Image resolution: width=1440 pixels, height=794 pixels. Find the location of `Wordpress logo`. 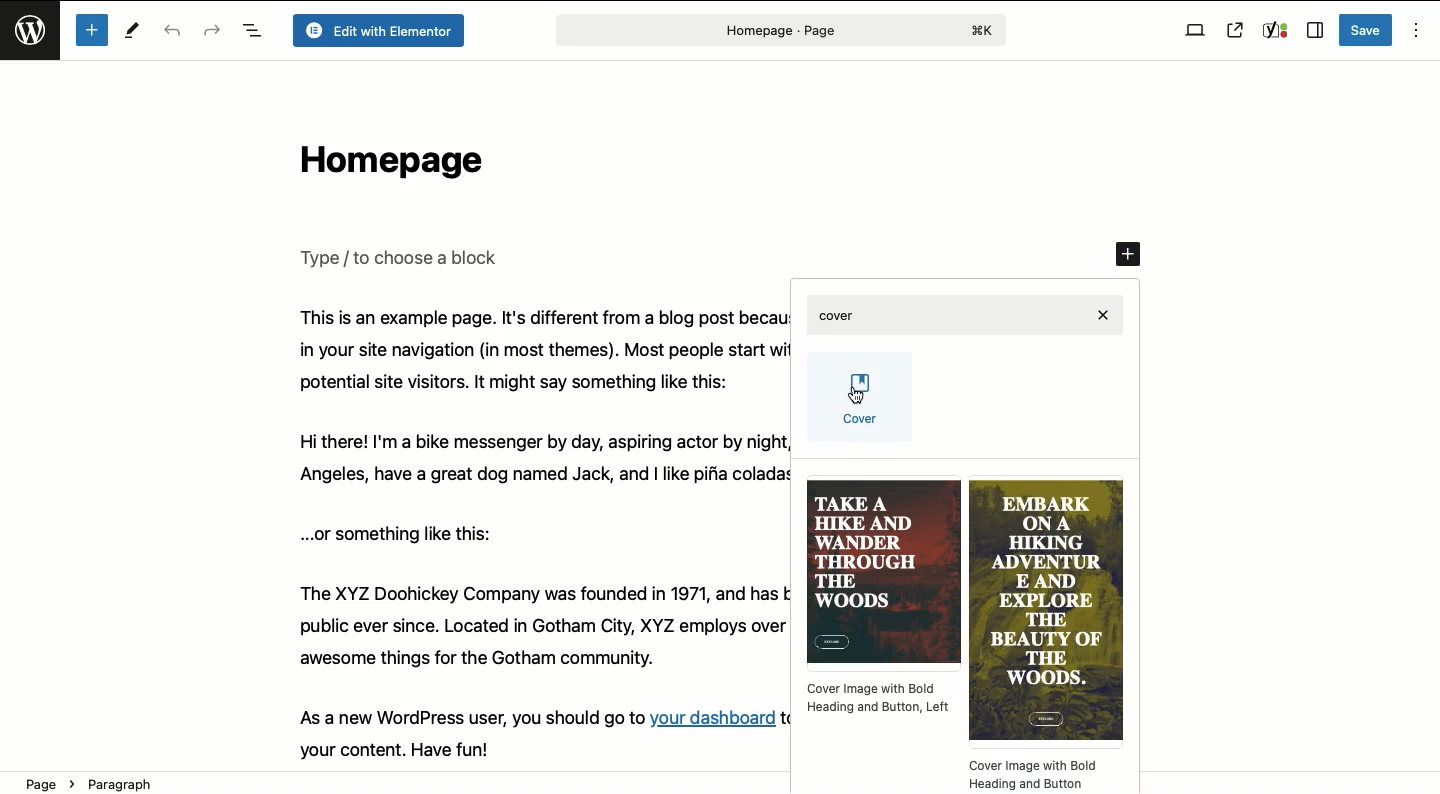

Wordpress logo is located at coordinates (33, 39).